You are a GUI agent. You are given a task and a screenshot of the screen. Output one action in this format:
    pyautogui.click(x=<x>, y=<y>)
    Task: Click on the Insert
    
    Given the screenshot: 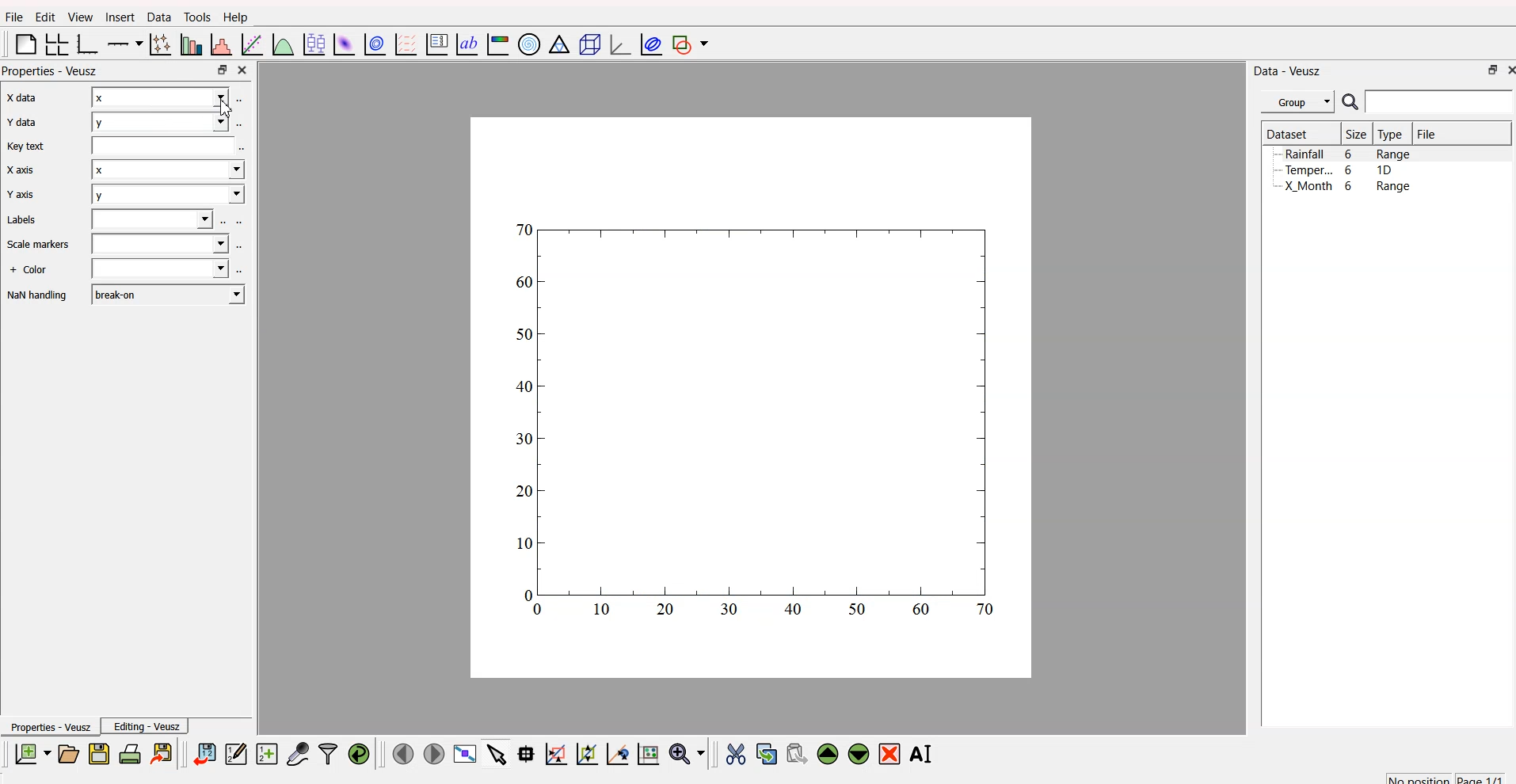 What is the action you would take?
    pyautogui.click(x=119, y=17)
    